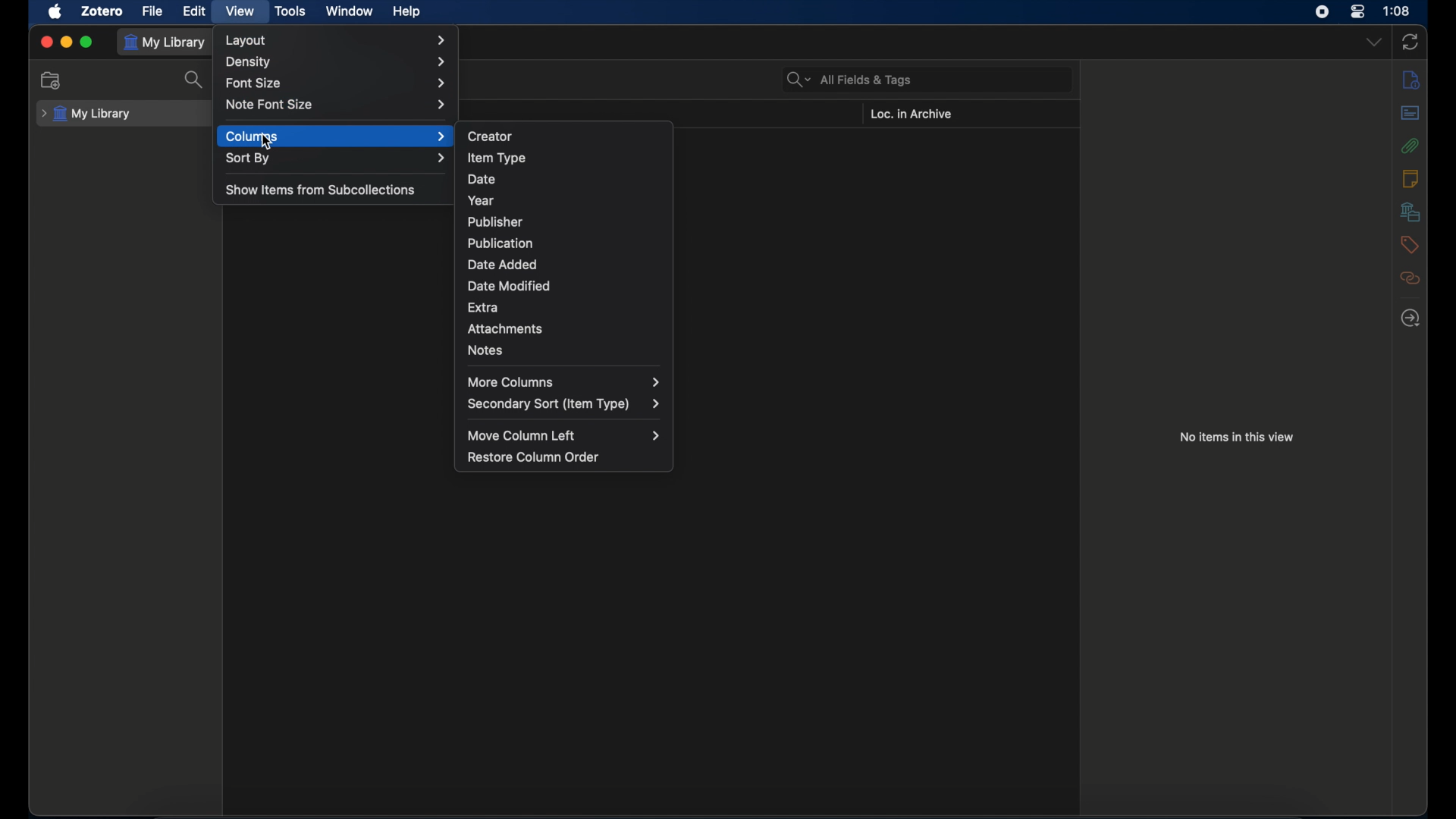  Describe the element at coordinates (563, 404) in the screenshot. I see `secondary sort` at that location.